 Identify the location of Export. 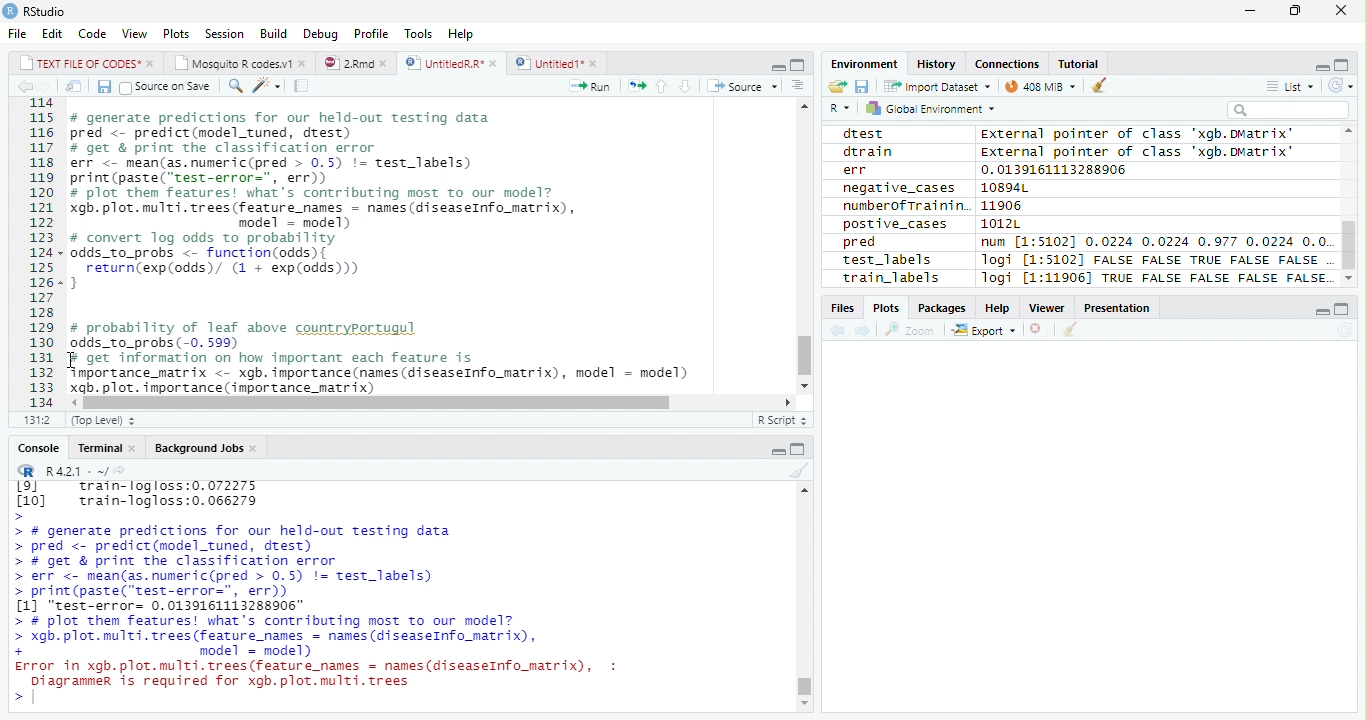
(984, 330).